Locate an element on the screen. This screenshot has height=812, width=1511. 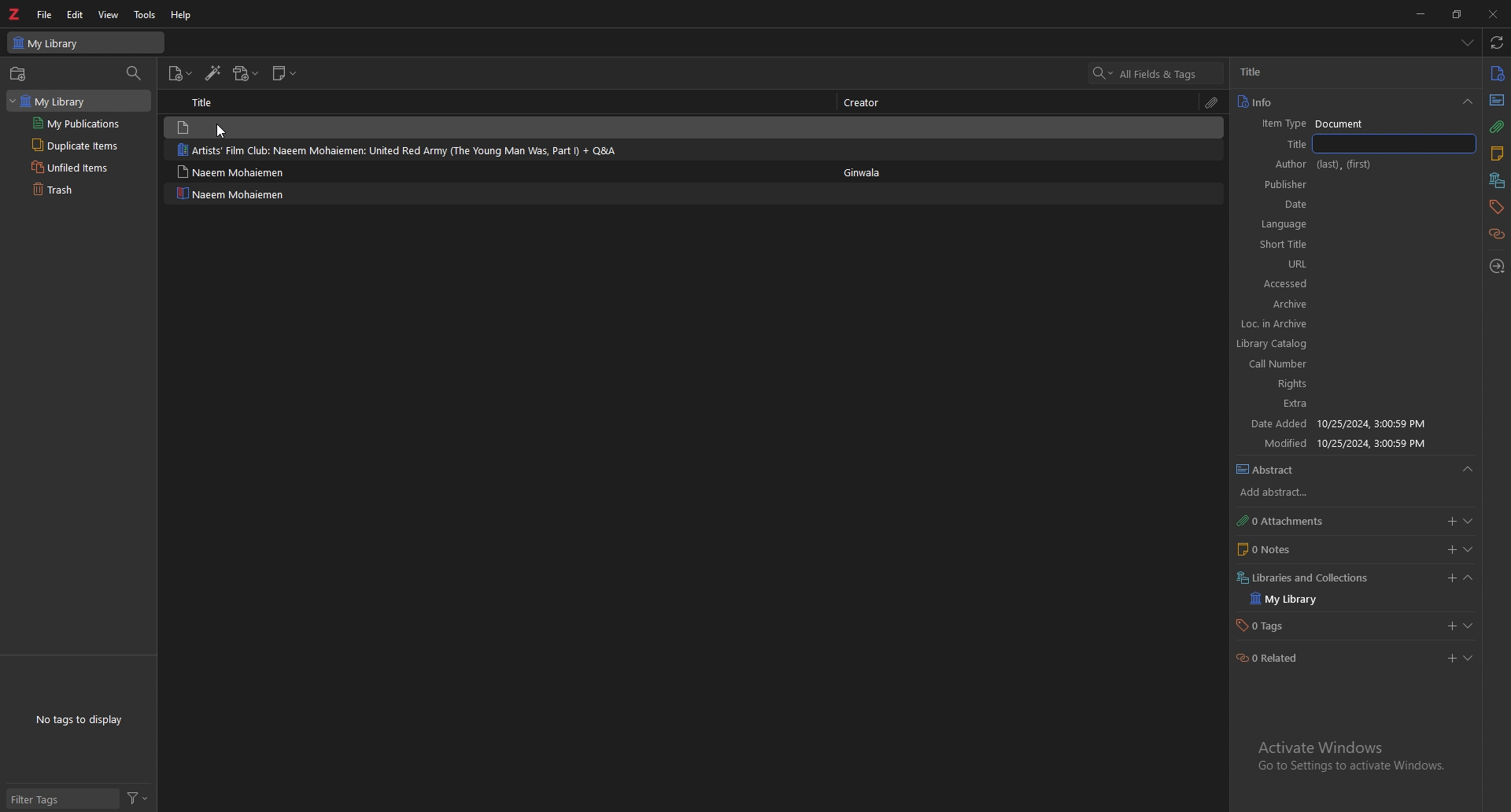
locate is located at coordinates (1498, 266).